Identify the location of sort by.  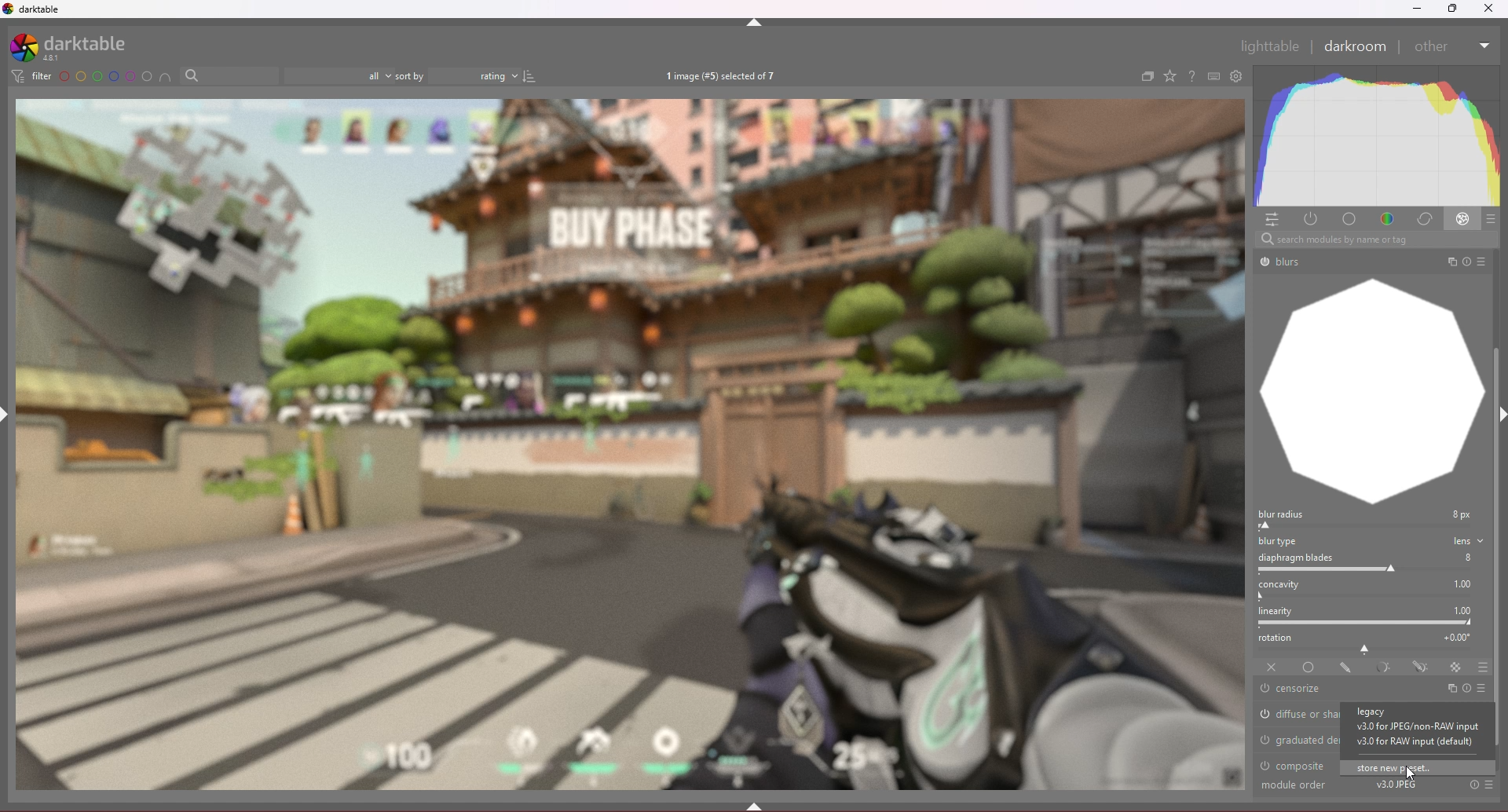
(410, 75).